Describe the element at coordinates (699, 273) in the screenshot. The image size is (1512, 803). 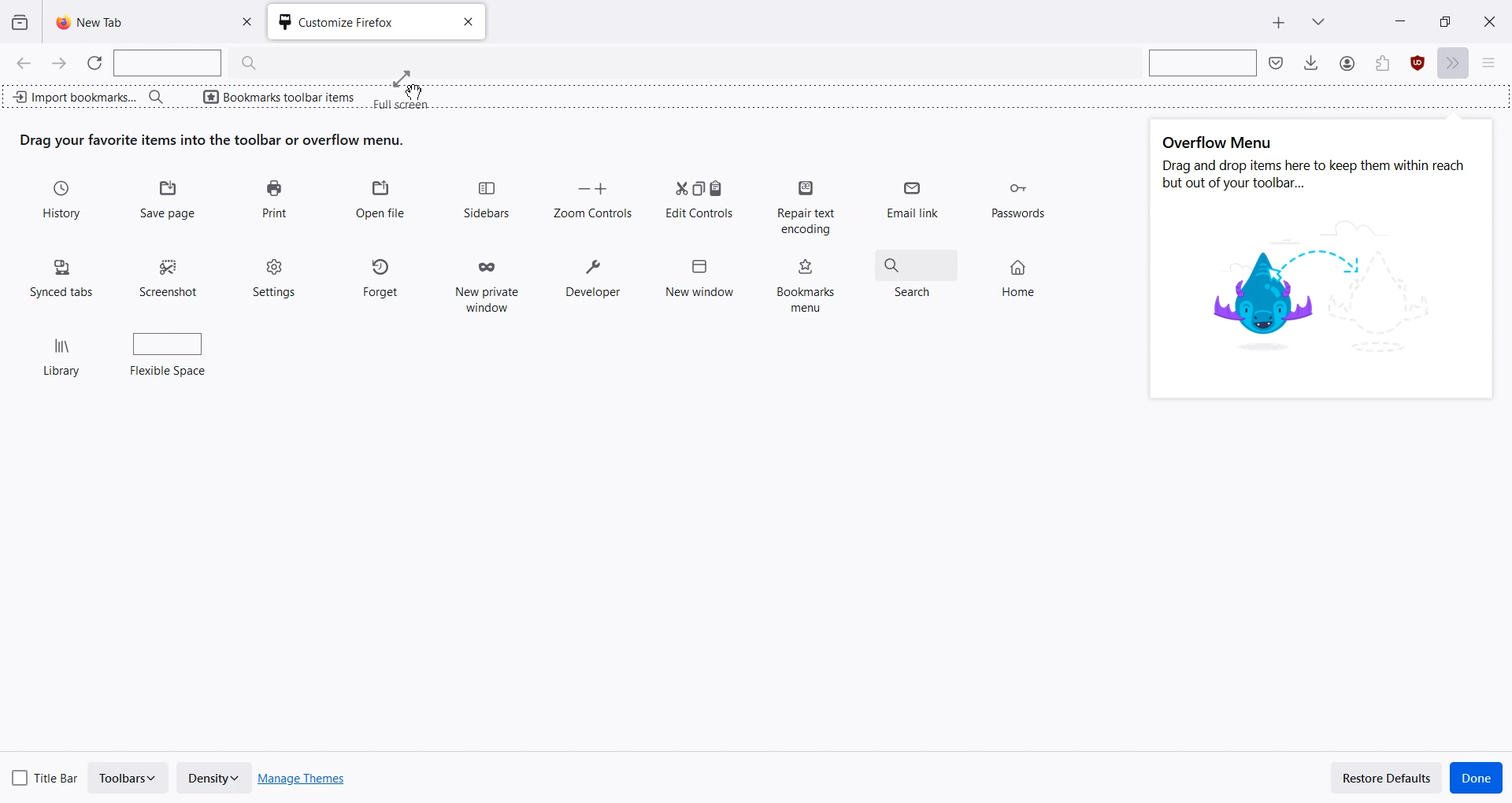
I see `New window` at that location.